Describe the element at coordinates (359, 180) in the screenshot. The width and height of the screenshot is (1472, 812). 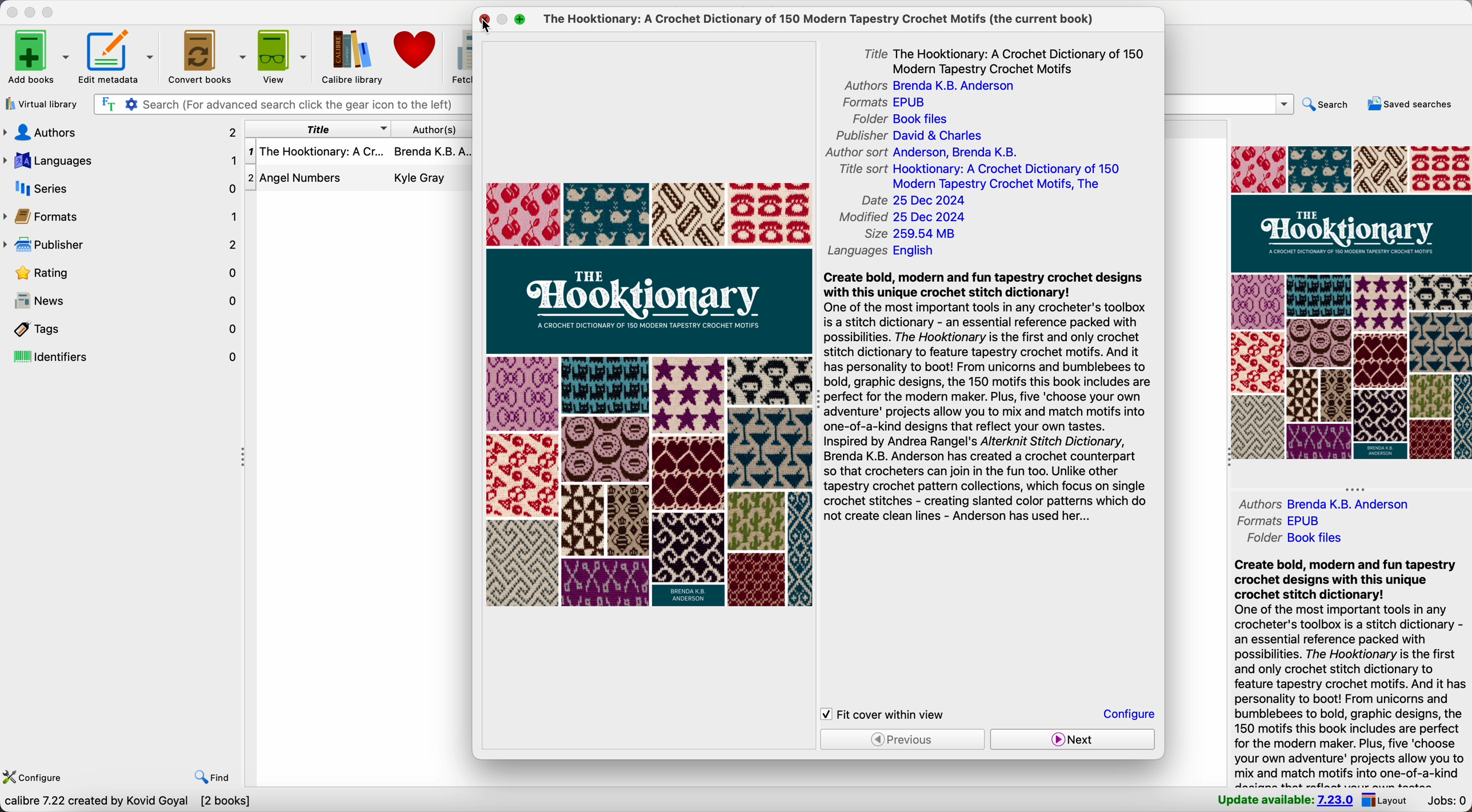
I see `Angel numbers book details` at that location.